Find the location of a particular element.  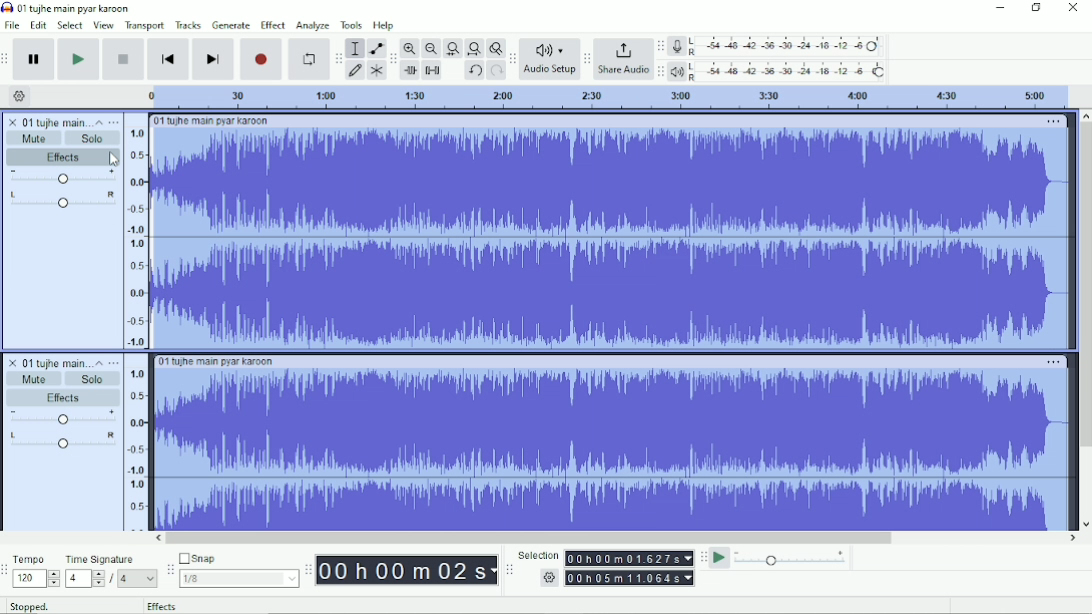

4 is located at coordinates (138, 579).